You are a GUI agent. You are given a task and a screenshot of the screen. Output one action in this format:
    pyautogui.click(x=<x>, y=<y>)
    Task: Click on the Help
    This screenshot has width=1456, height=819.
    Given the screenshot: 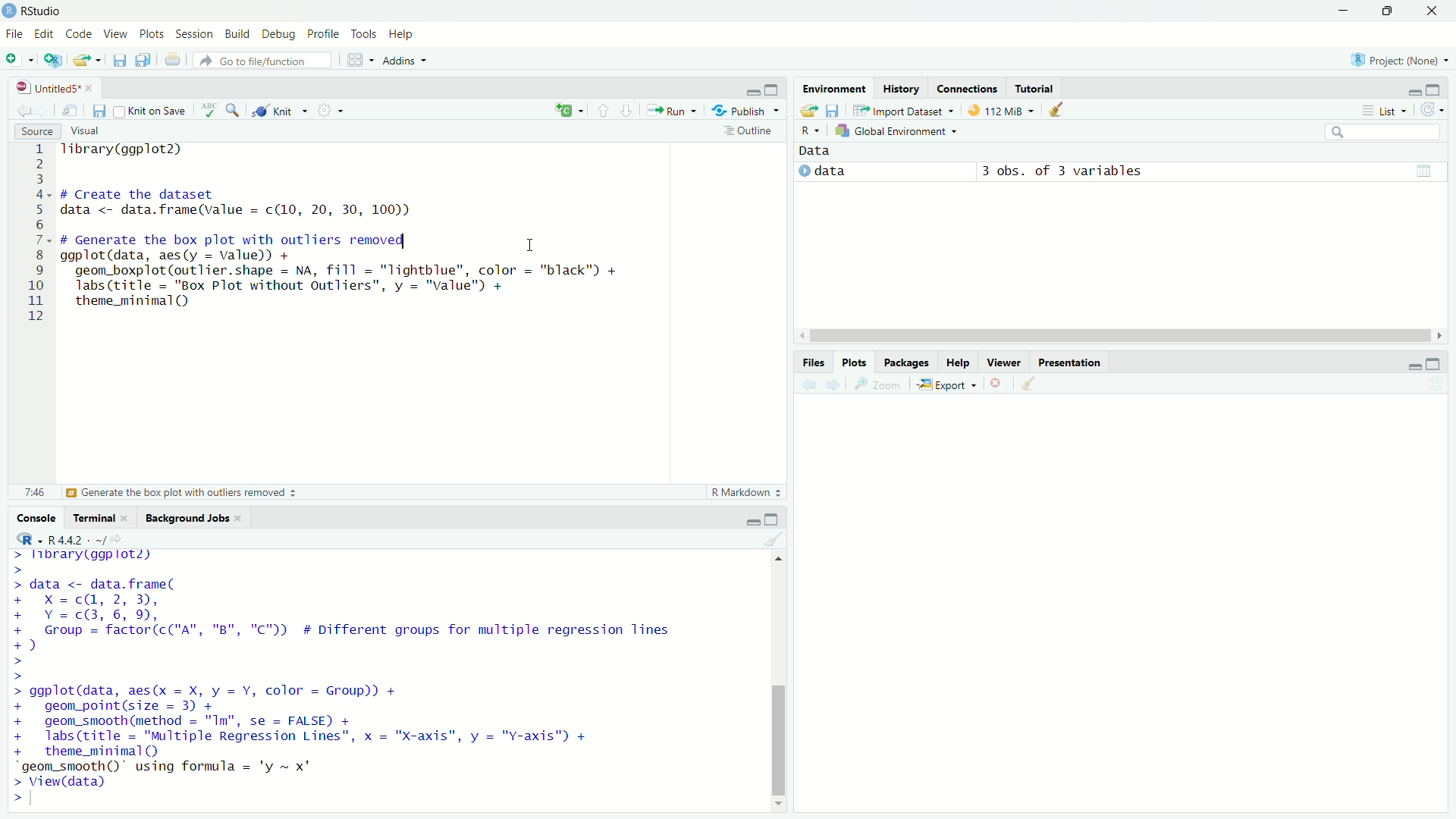 What is the action you would take?
    pyautogui.click(x=955, y=362)
    